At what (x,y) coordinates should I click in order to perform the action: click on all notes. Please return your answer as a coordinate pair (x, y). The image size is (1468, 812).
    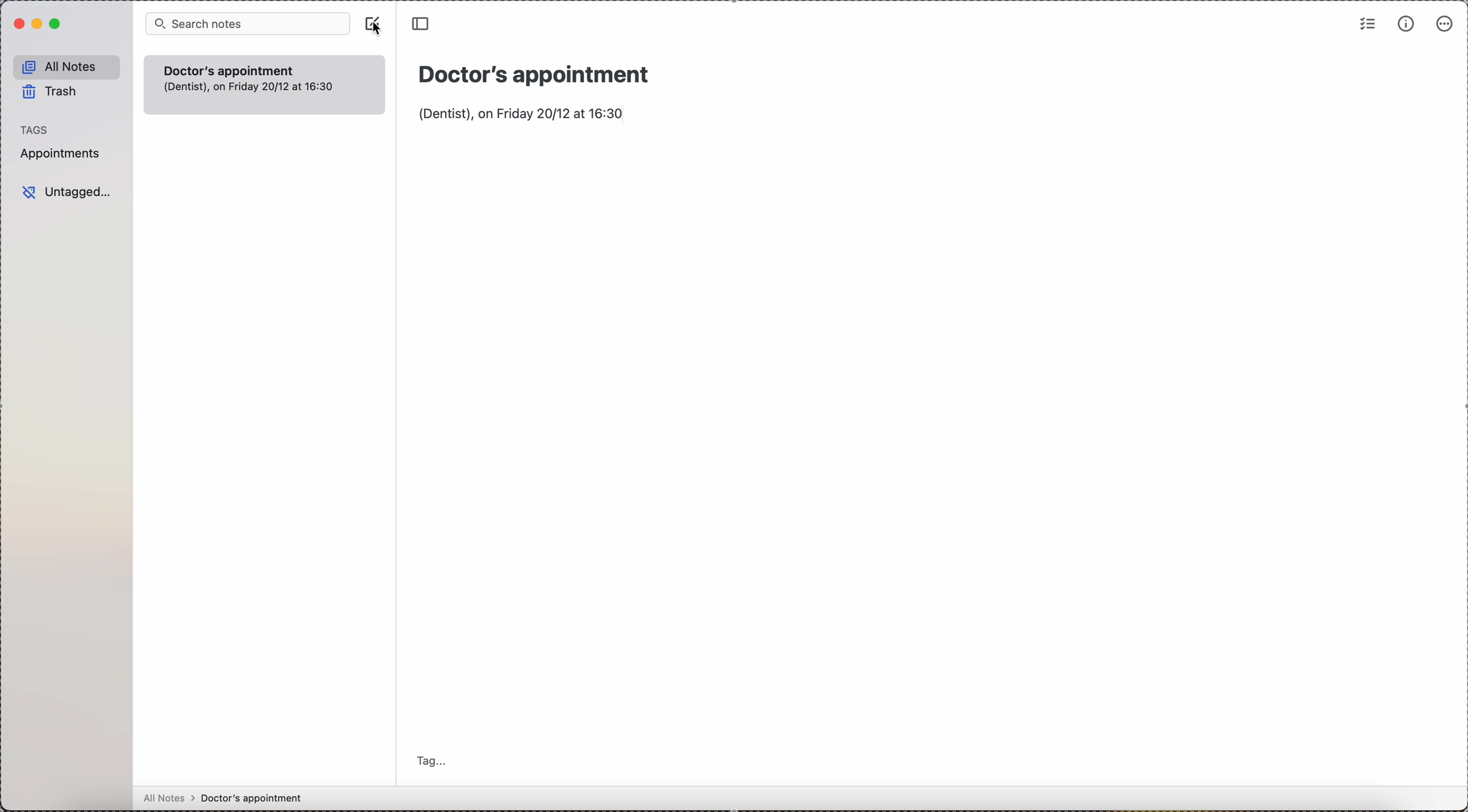
    Looking at the image, I should click on (67, 66).